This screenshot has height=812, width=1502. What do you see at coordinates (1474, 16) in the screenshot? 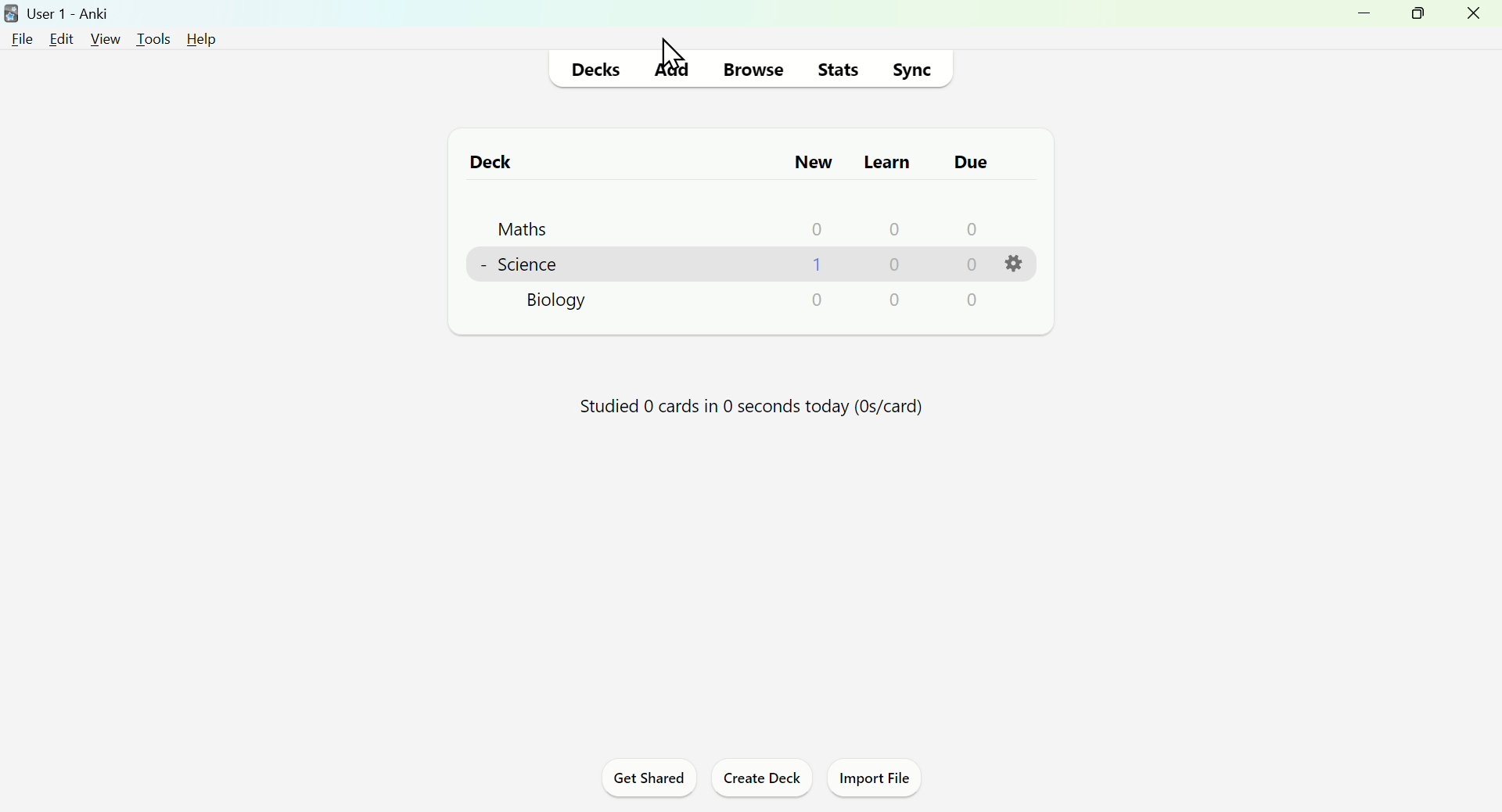
I see `close` at bounding box center [1474, 16].